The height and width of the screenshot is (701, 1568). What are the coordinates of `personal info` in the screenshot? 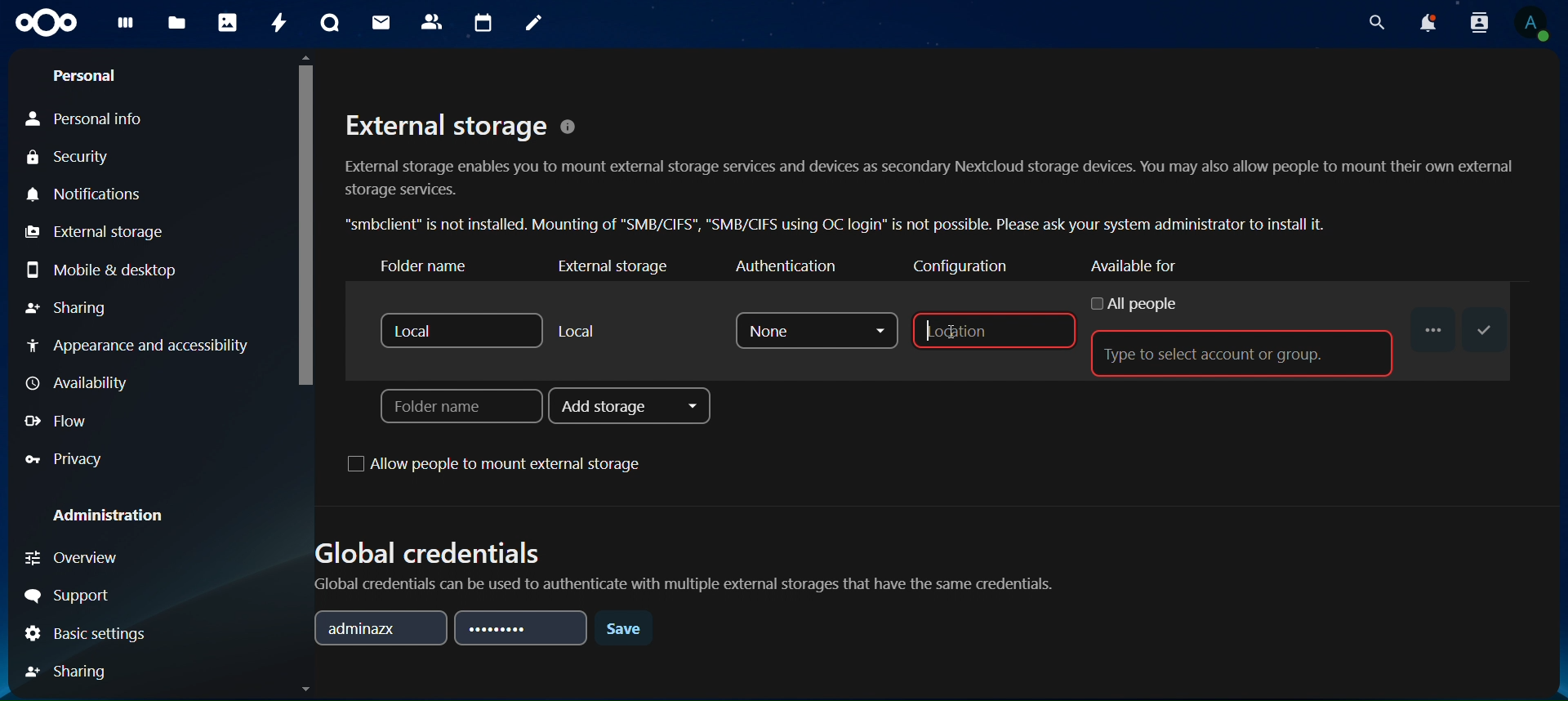 It's located at (90, 115).